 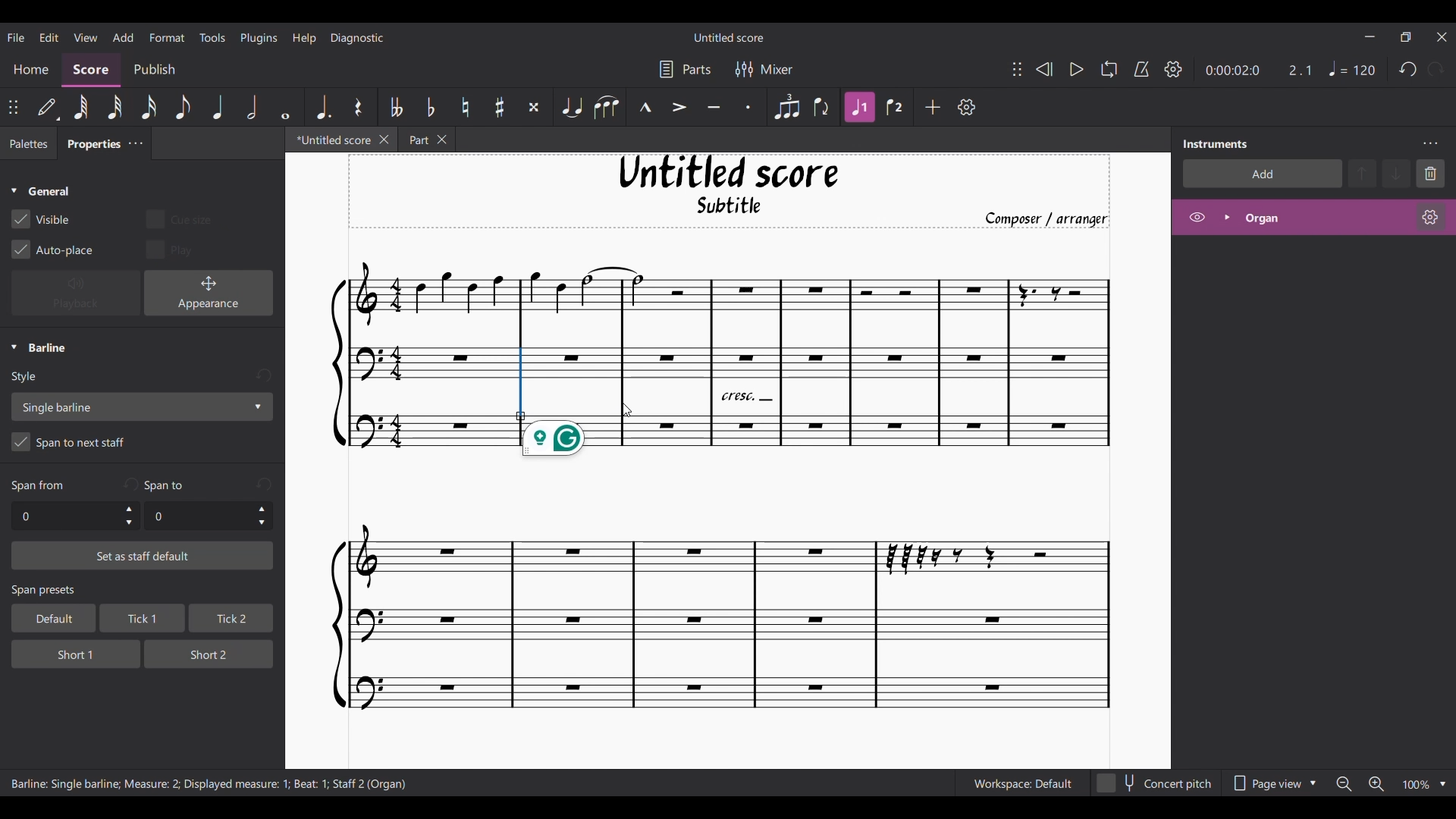 I want to click on Change position of toolbar attached, so click(x=14, y=107).